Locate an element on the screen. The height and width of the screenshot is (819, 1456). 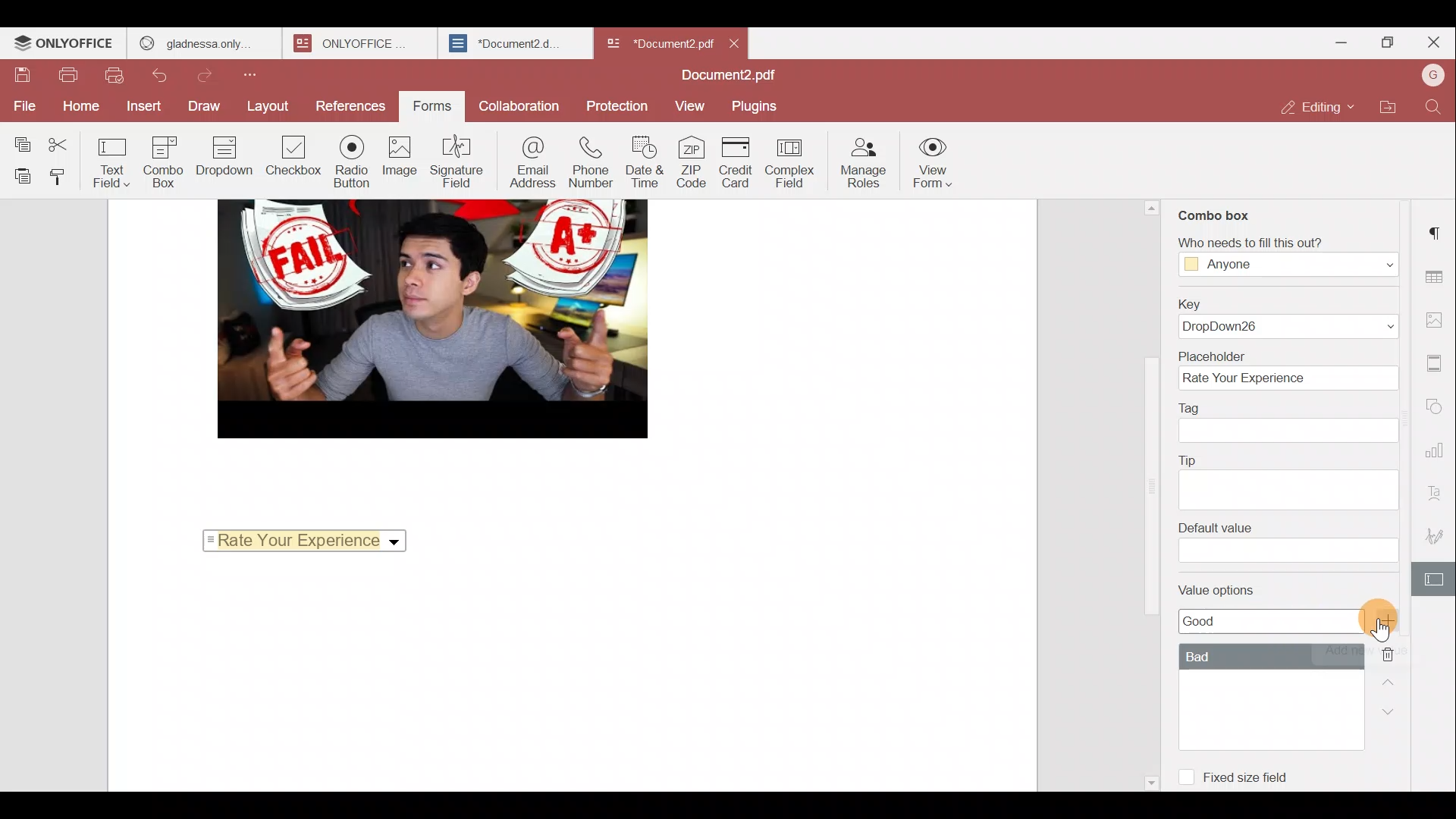
Collaboration is located at coordinates (518, 105).